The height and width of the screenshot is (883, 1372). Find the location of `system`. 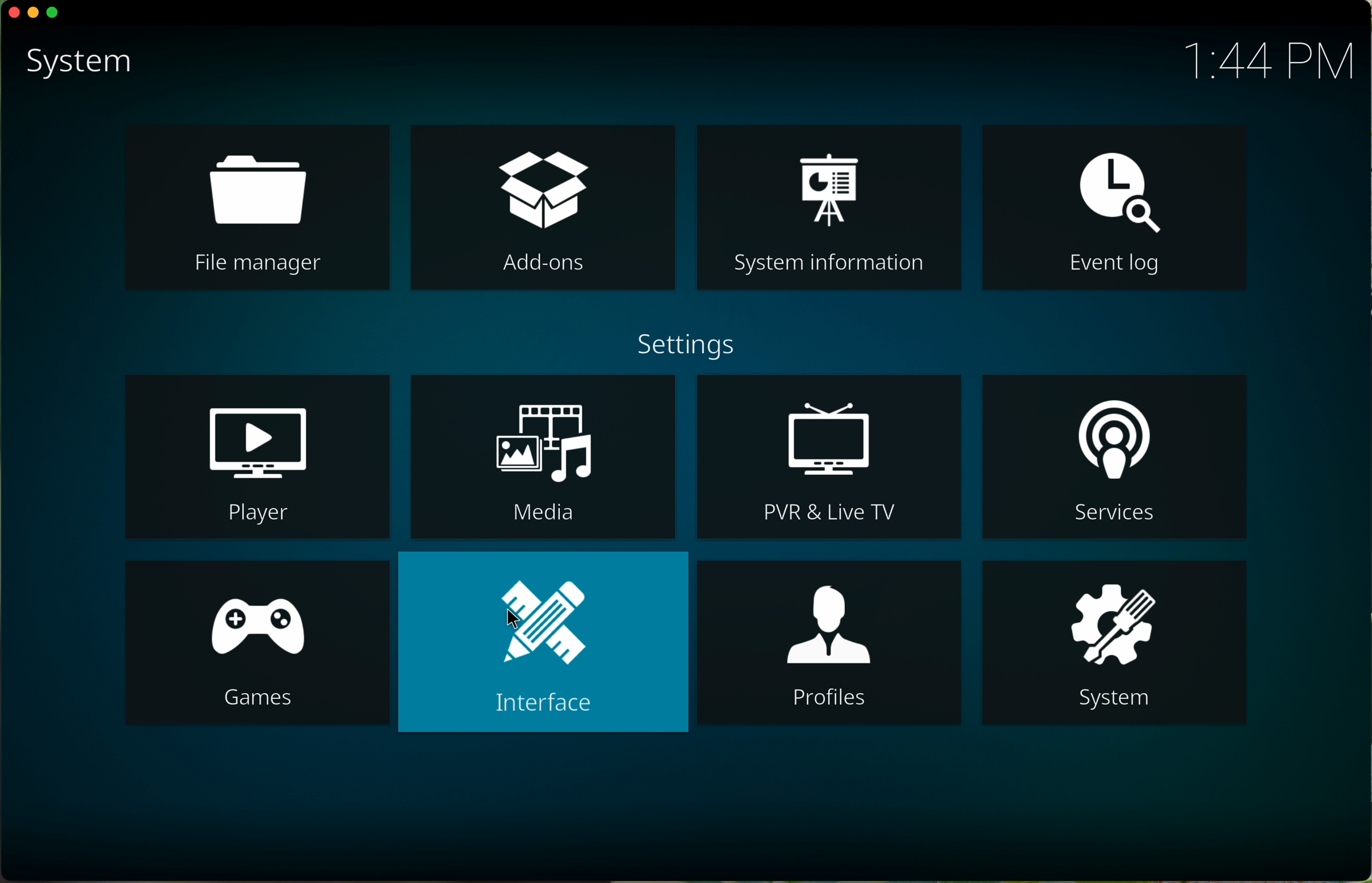

system is located at coordinates (77, 62).